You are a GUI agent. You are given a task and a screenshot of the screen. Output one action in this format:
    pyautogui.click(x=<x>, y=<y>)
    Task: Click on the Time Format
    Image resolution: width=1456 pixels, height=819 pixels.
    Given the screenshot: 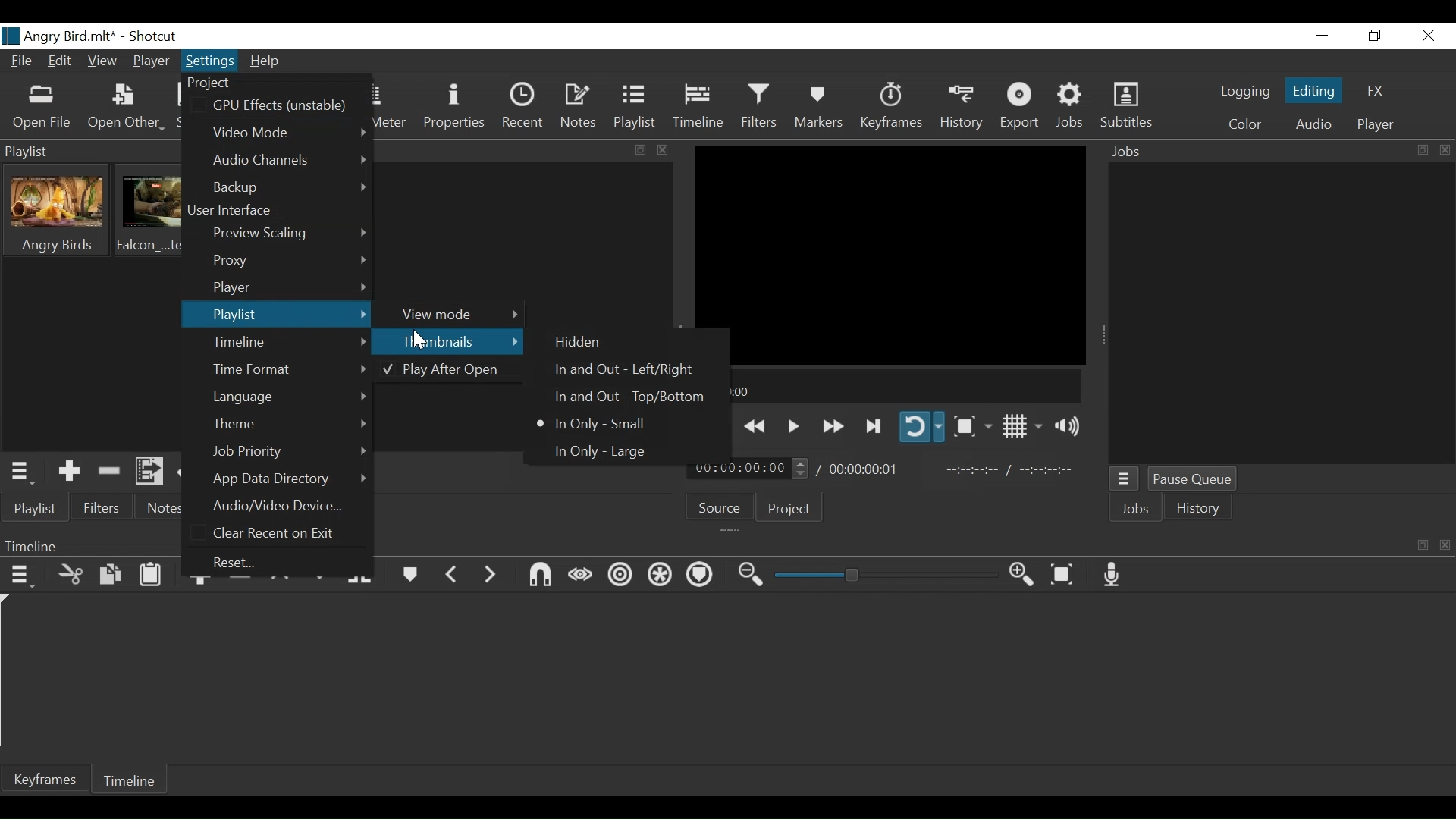 What is the action you would take?
    pyautogui.click(x=289, y=369)
    